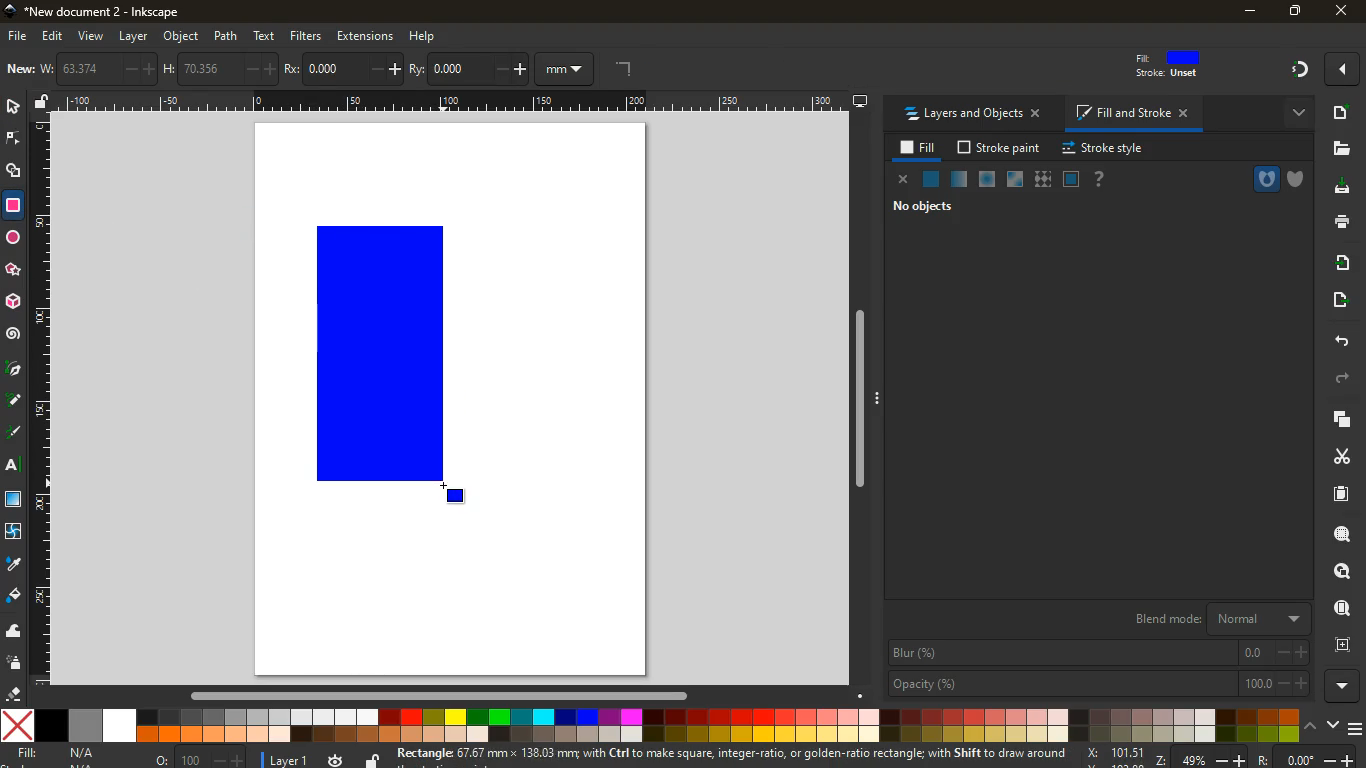 This screenshot has width=1366, height=768. Describe the element at coordinates (1343, 12) in the screenshot. I see `close` at that location.